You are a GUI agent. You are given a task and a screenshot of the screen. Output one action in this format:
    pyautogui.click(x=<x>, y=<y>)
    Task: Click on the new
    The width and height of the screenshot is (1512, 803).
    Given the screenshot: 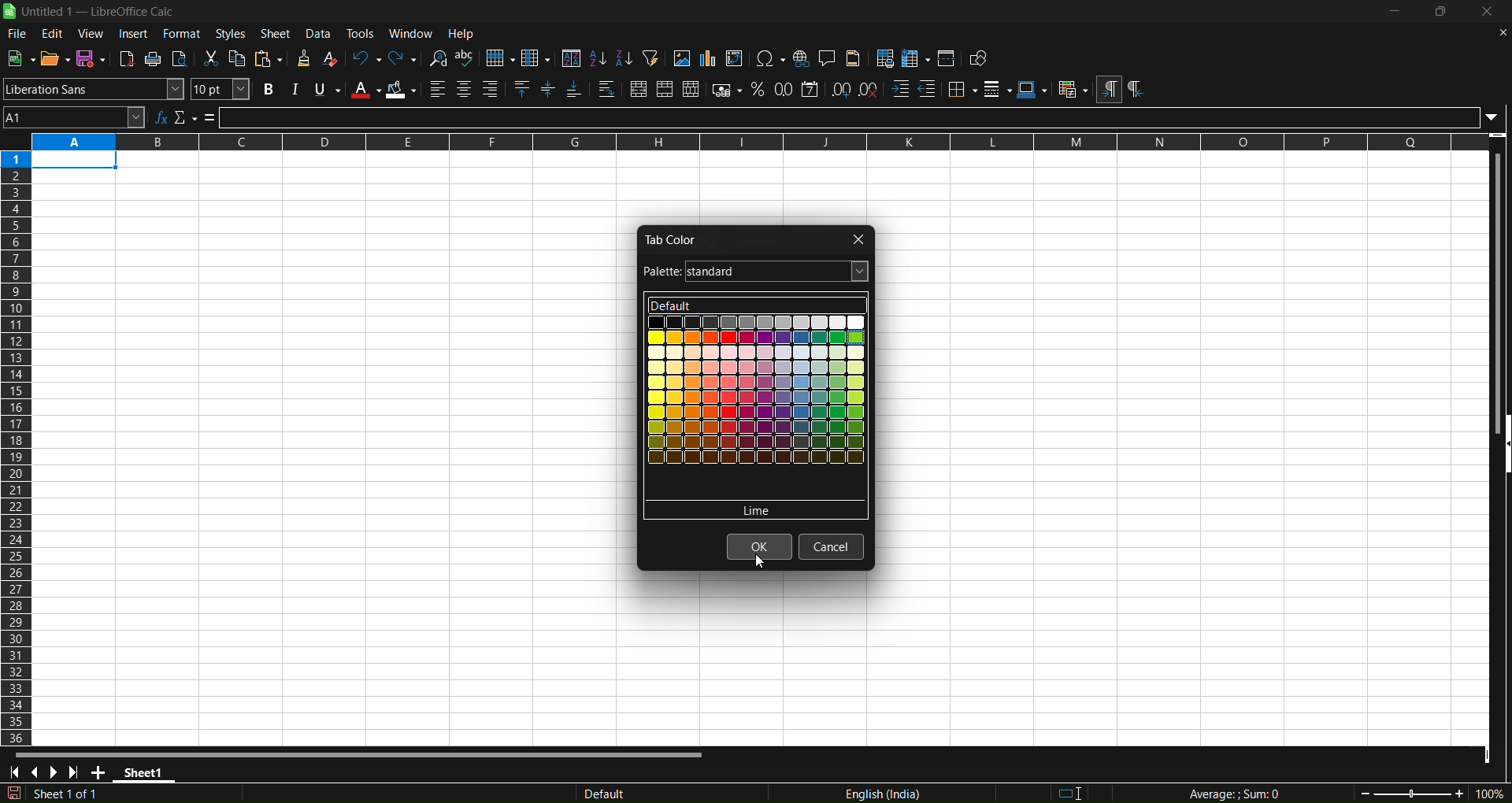 What is the action you would take?
    pyautogui.click(x=20, y=57)
    